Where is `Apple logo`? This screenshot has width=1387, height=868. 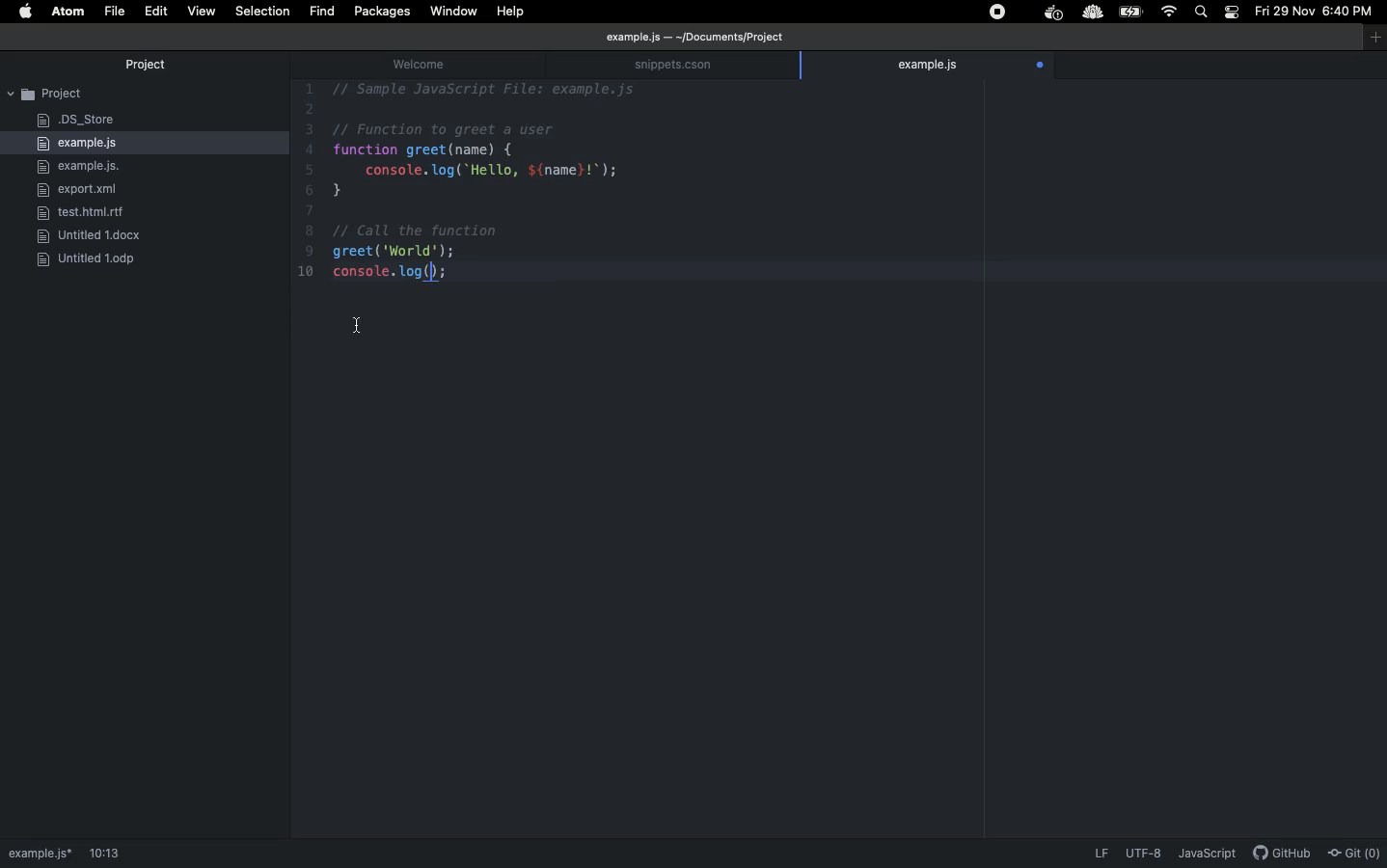
Apple logo is located at coordinates (28, 12).